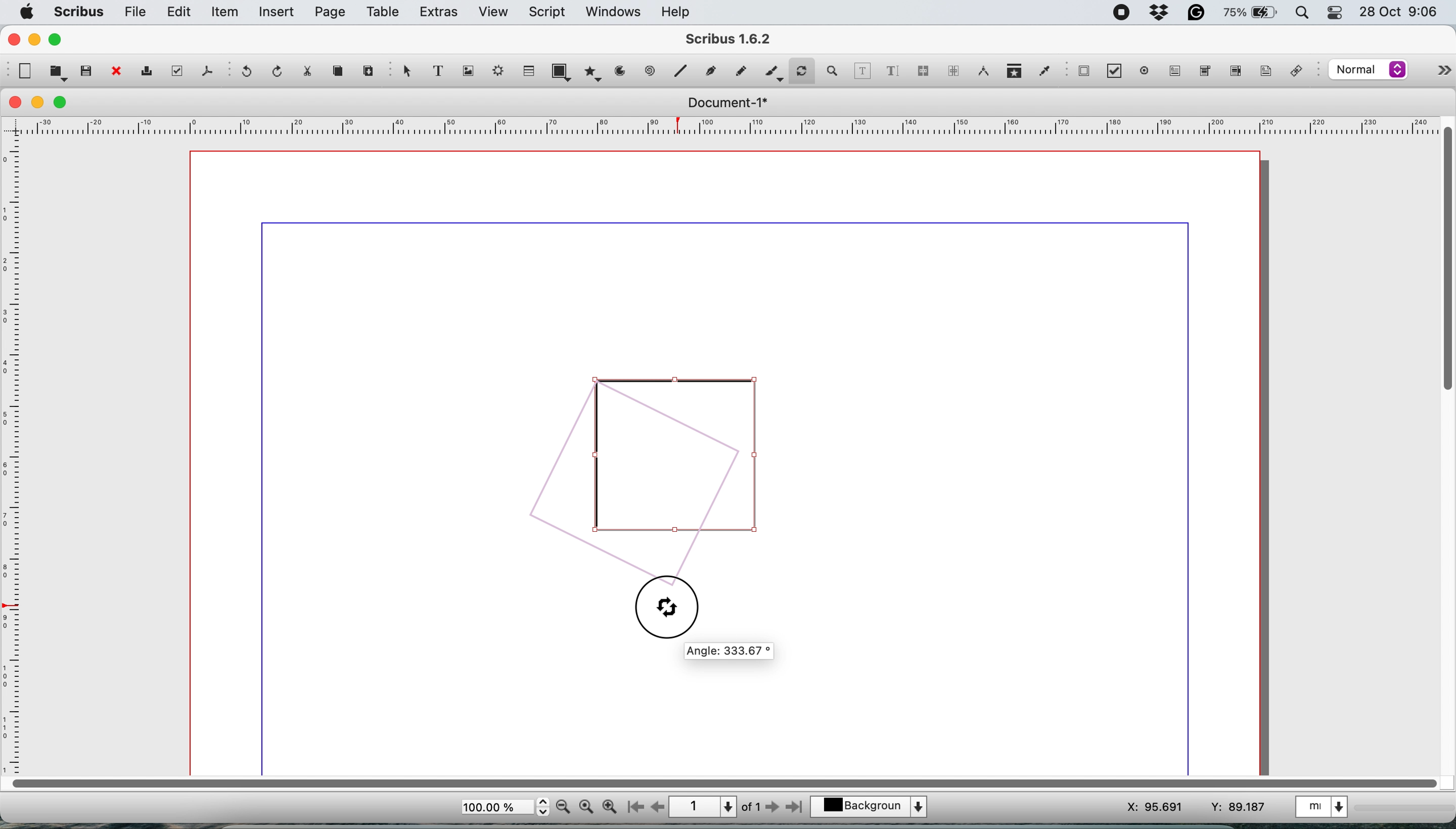 The width and height of the screenshot is (1456, 829). I want to click on go to first page, so click(634, 807).